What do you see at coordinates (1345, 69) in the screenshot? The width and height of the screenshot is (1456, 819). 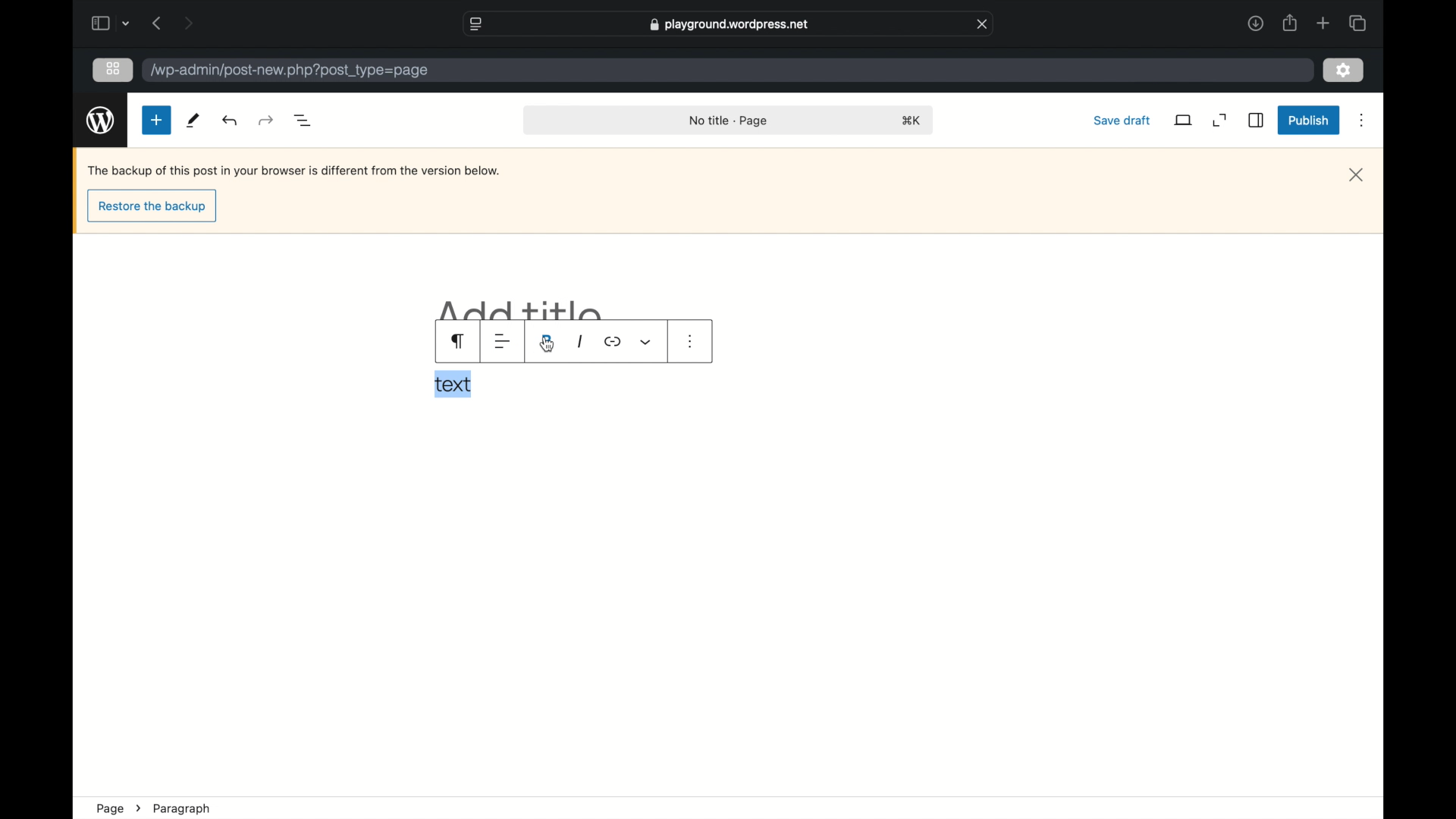 I see `settings` at bounding box center [1345, 69].